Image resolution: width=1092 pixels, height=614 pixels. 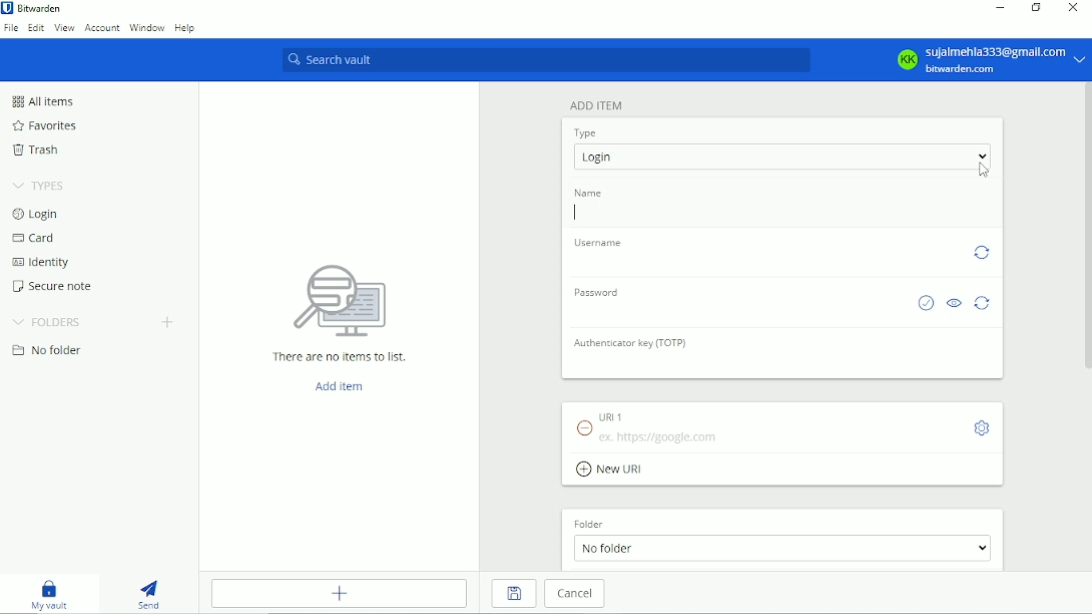 What do you see at coordinates (599, 241) in the screenshot?
I see `Username` at bounding box center [599, 241].